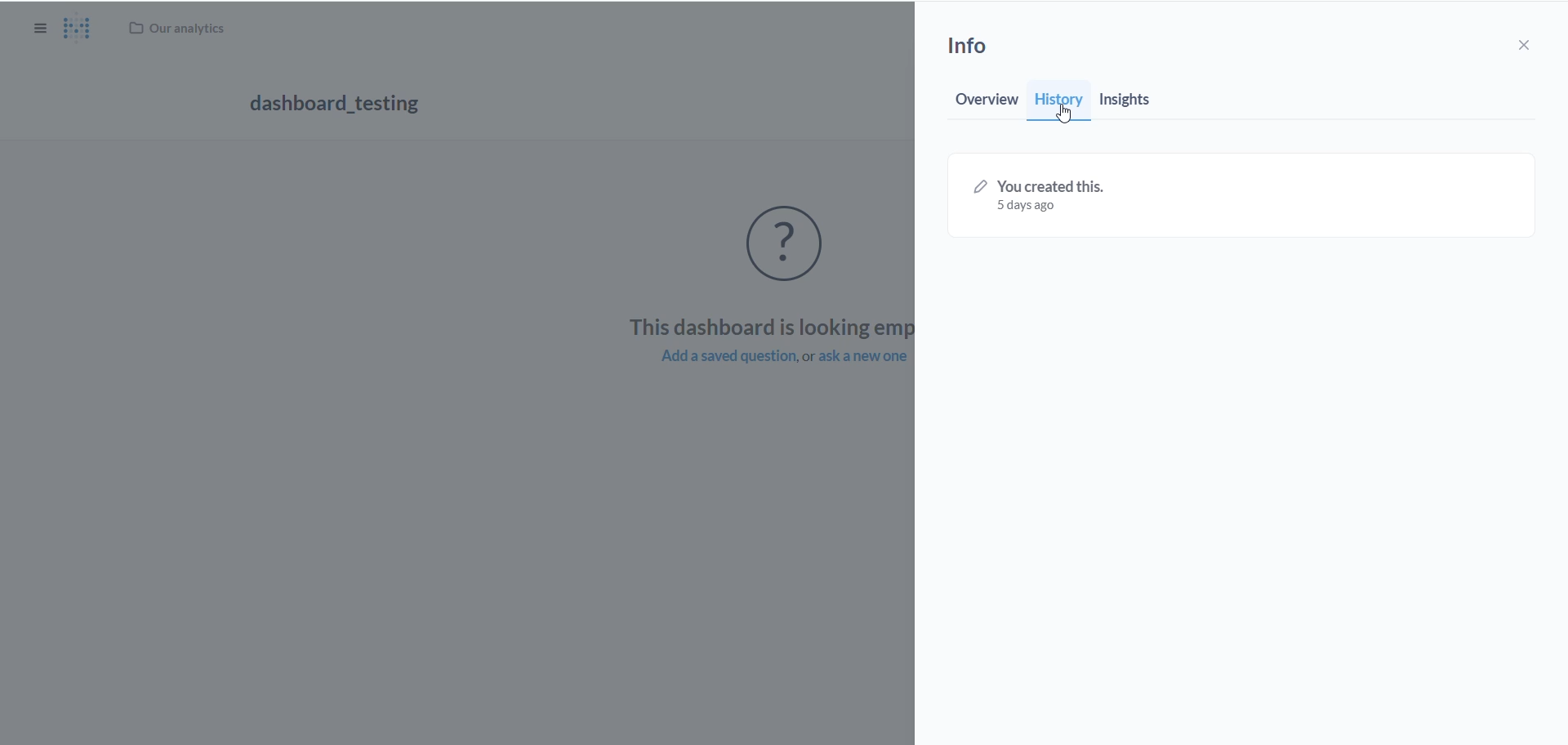 The image size is (1568, 745). Describe the element at coordinates (808, 358) in the screenshot. I see `or` at that location.